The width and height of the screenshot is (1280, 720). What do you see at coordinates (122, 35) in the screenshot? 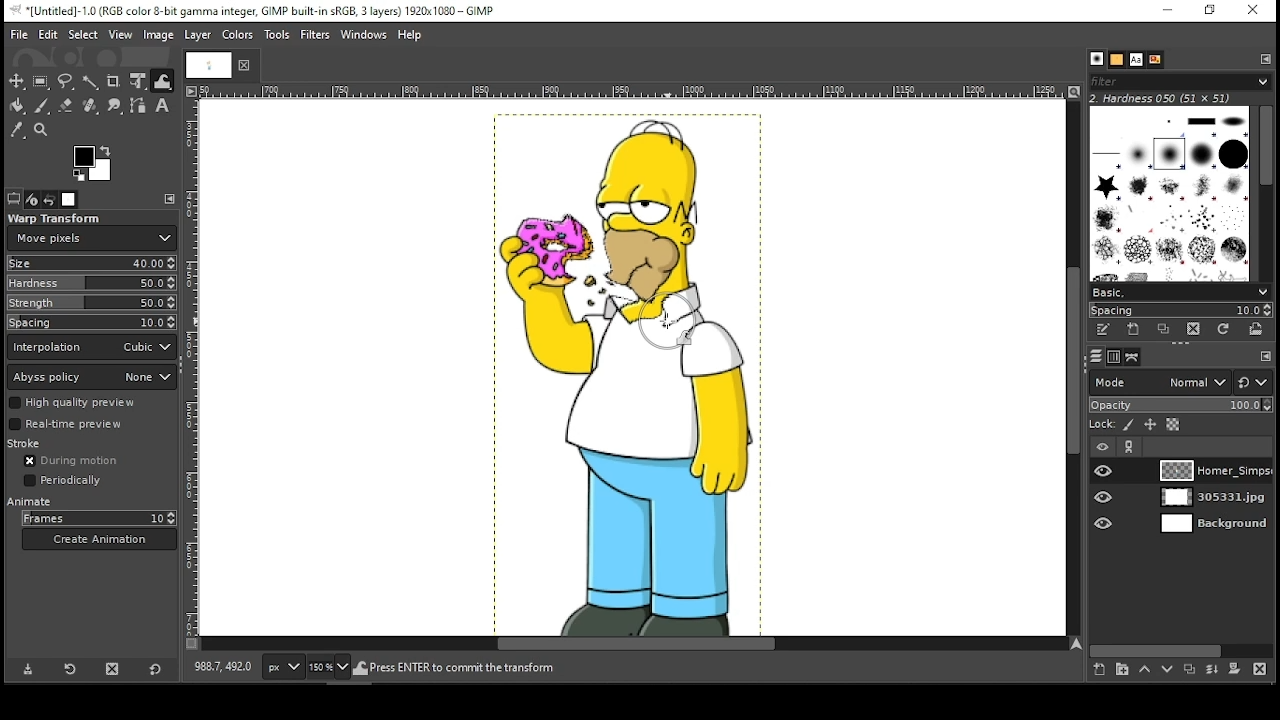
I see `view` at bounding box center [122, 35].